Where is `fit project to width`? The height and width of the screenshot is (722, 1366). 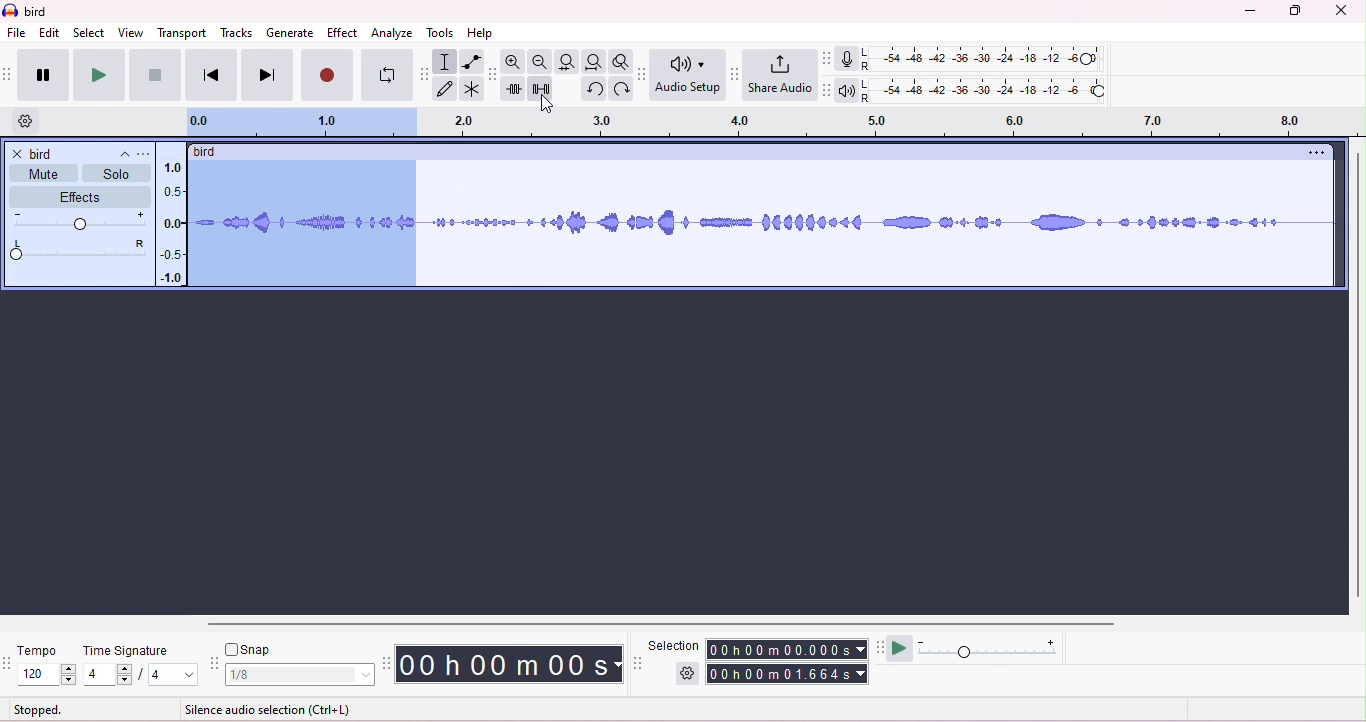
fit project to width is located at coordinates (593, 63).